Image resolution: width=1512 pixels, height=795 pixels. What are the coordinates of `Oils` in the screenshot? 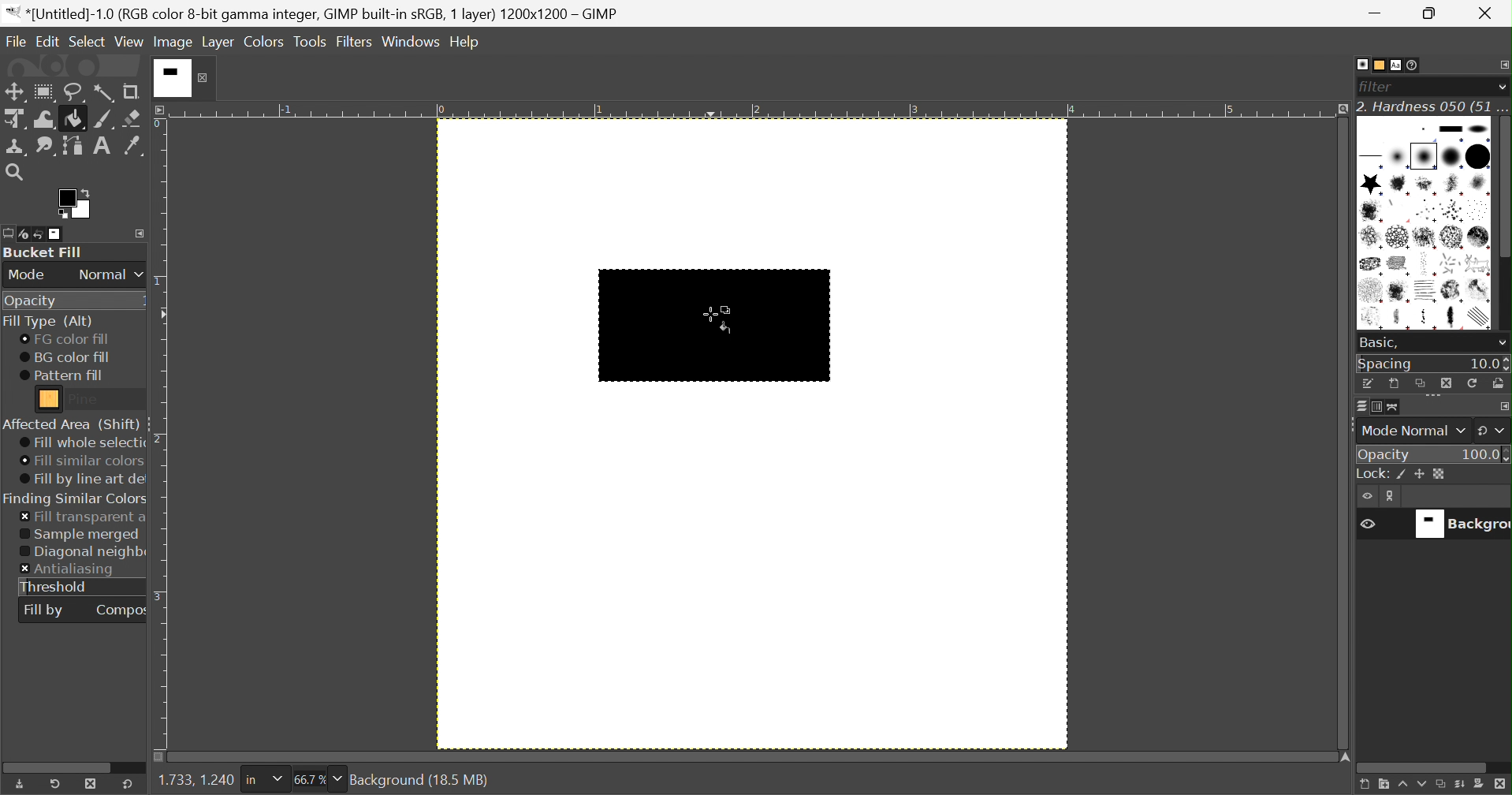 It's located at (1479, 289).